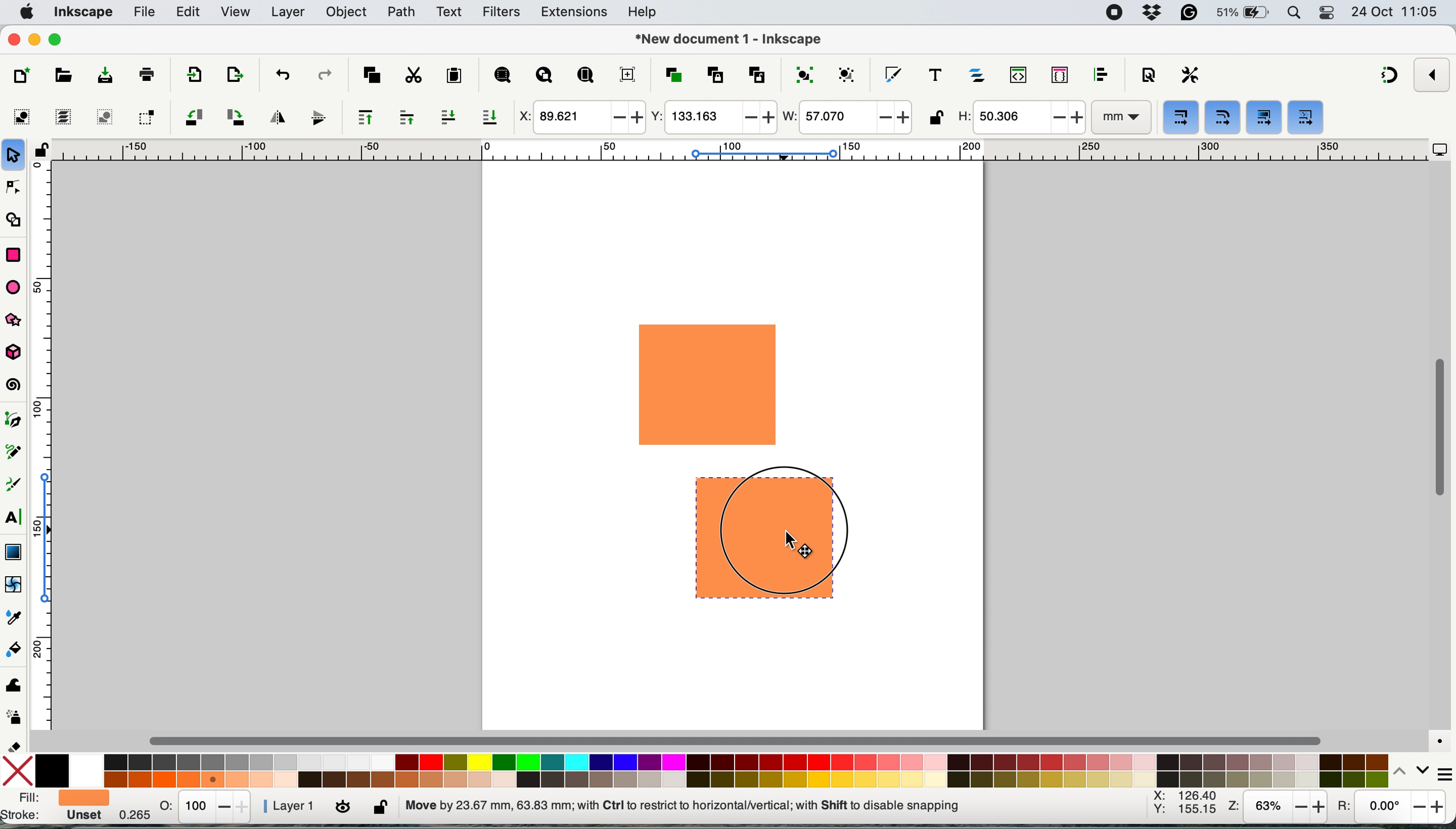 This screenshot has width=1456, height=829. What do you see at coordinates (501, 76) in the screenshot?
I see `zoom selection` at bounding box center [501, 76].